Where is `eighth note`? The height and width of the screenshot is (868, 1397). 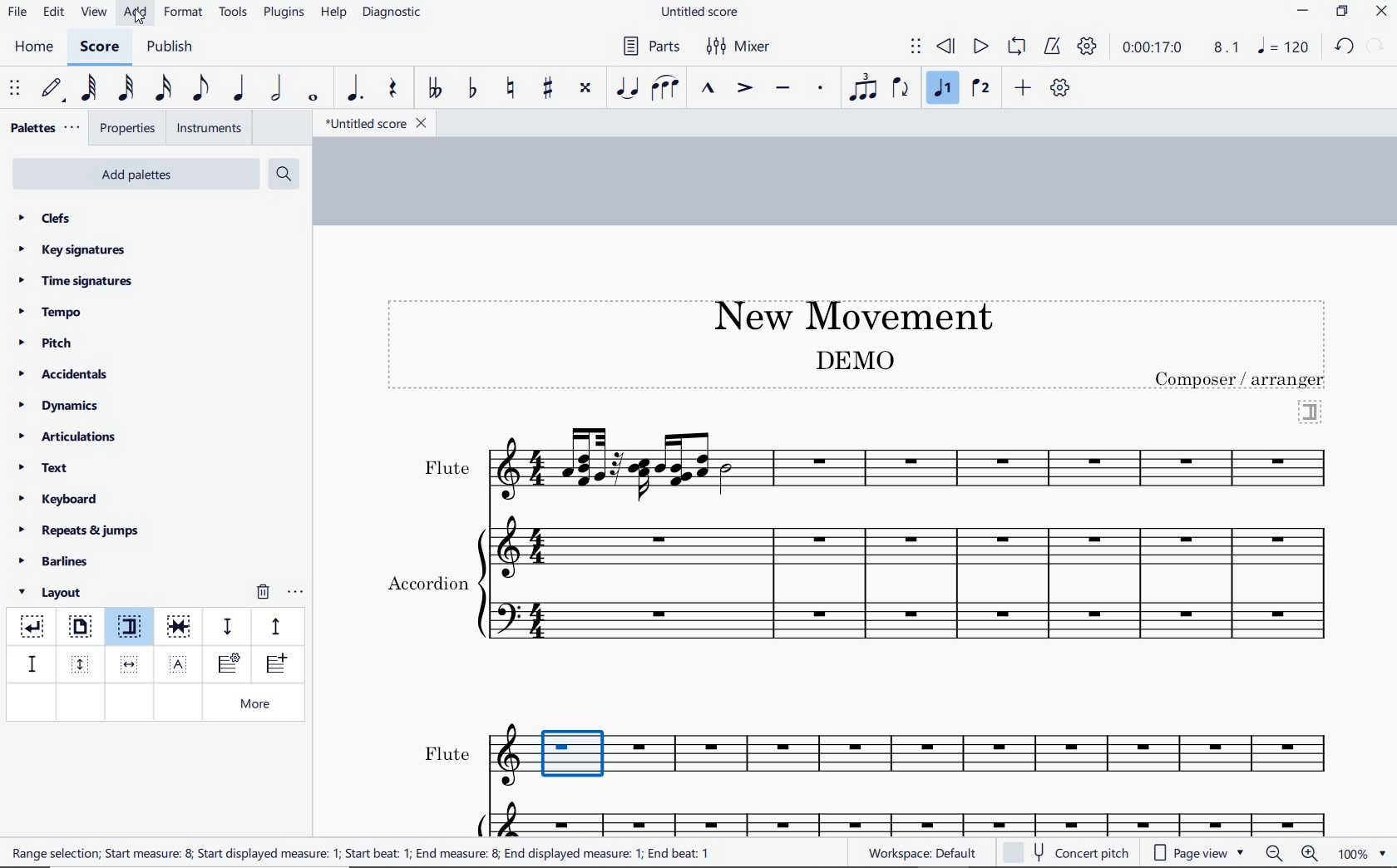
eighth note is located at coordinates (200, 91).